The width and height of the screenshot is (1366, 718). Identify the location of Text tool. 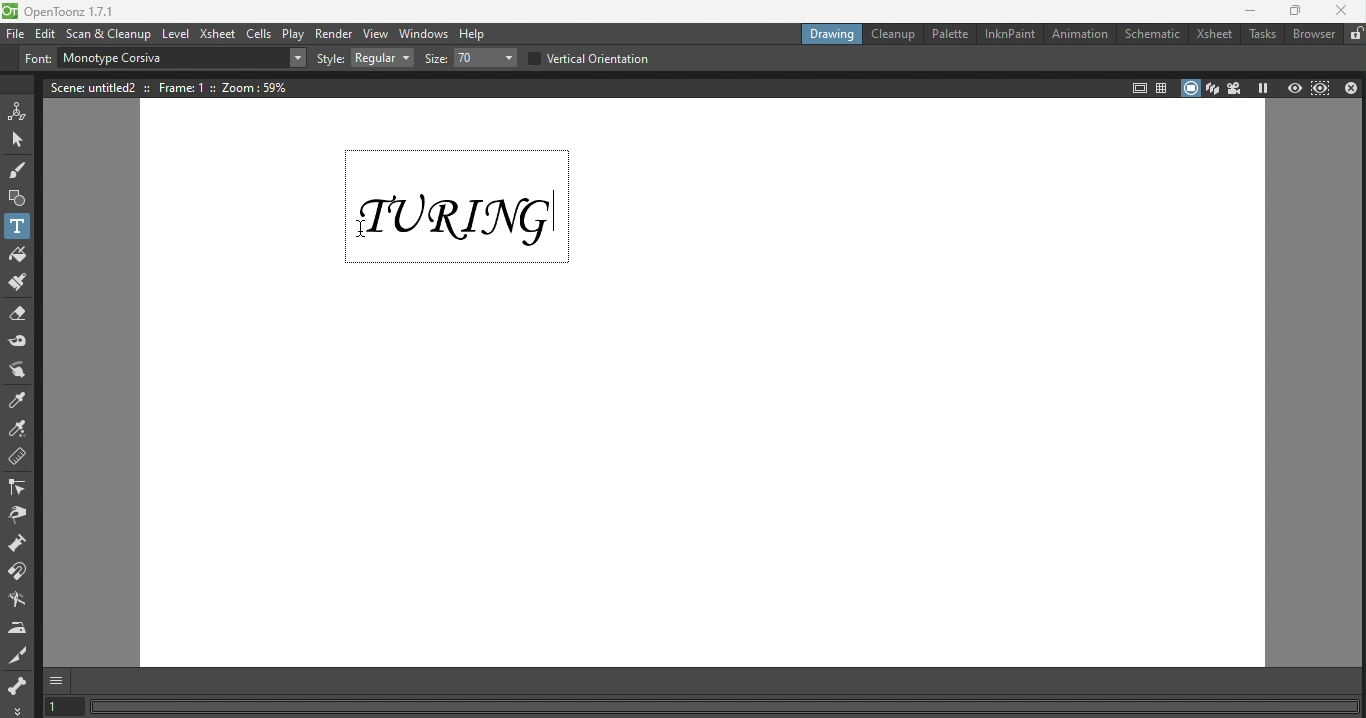
(19, 226).